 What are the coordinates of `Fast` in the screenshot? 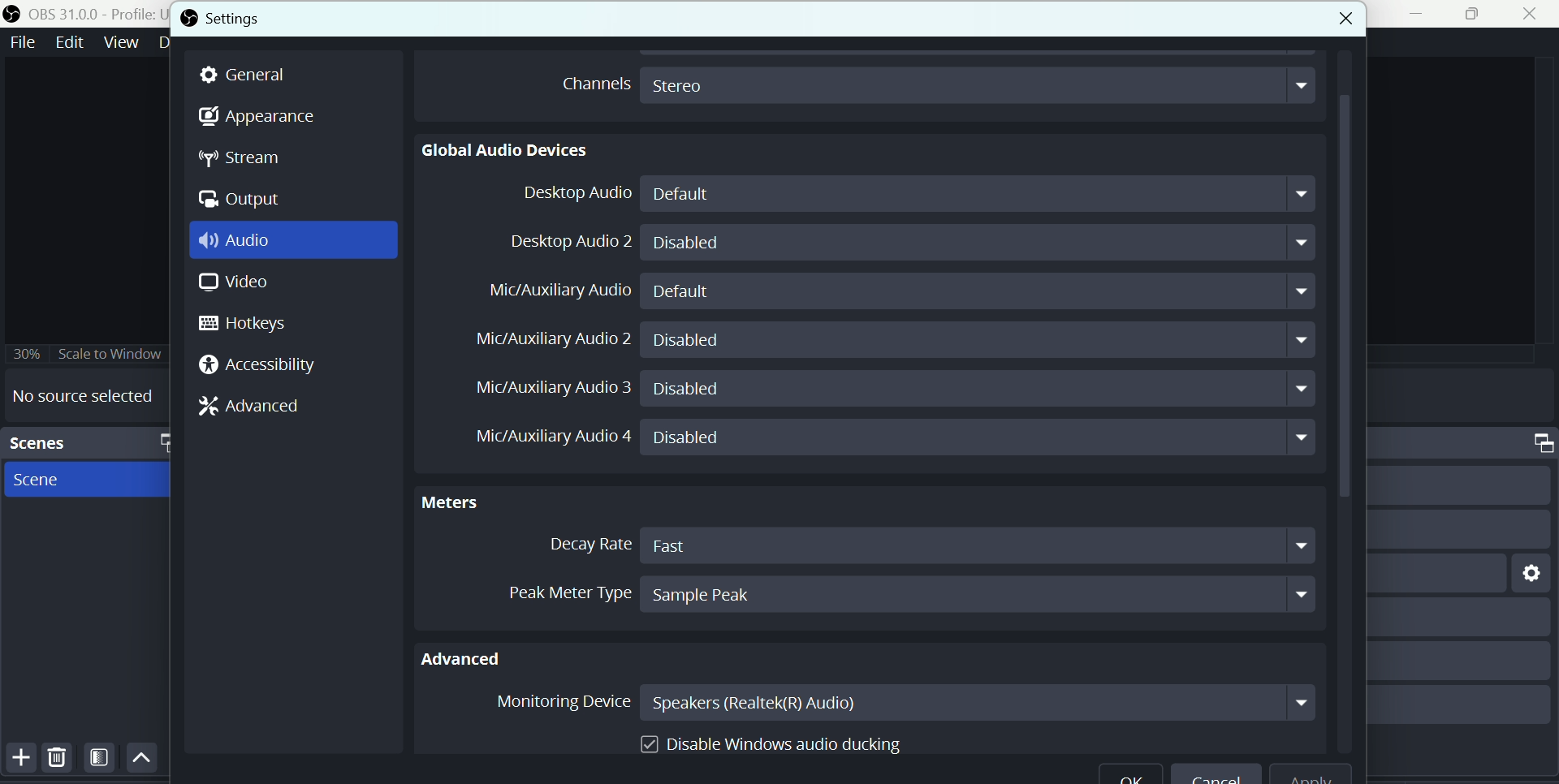 It's located at (979, 545).